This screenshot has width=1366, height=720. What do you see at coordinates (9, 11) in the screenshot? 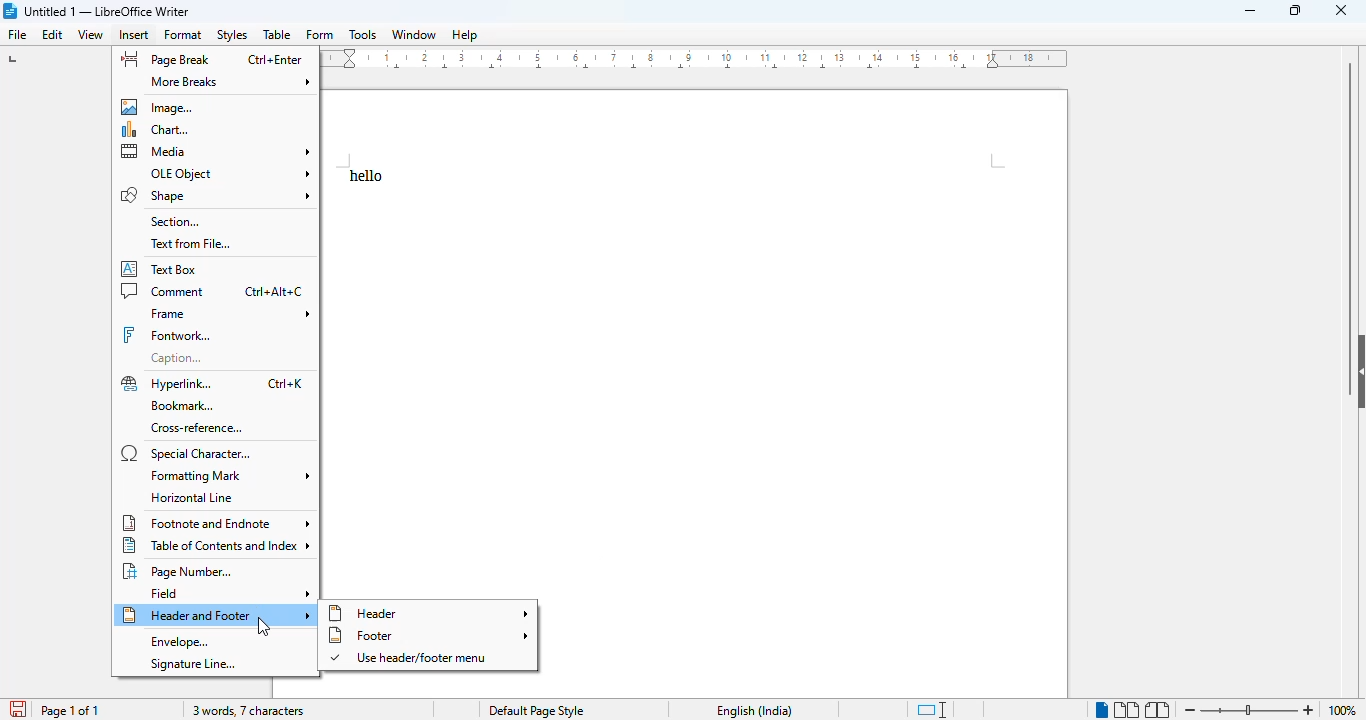
I see `logo` at bounding box center [9, 11].